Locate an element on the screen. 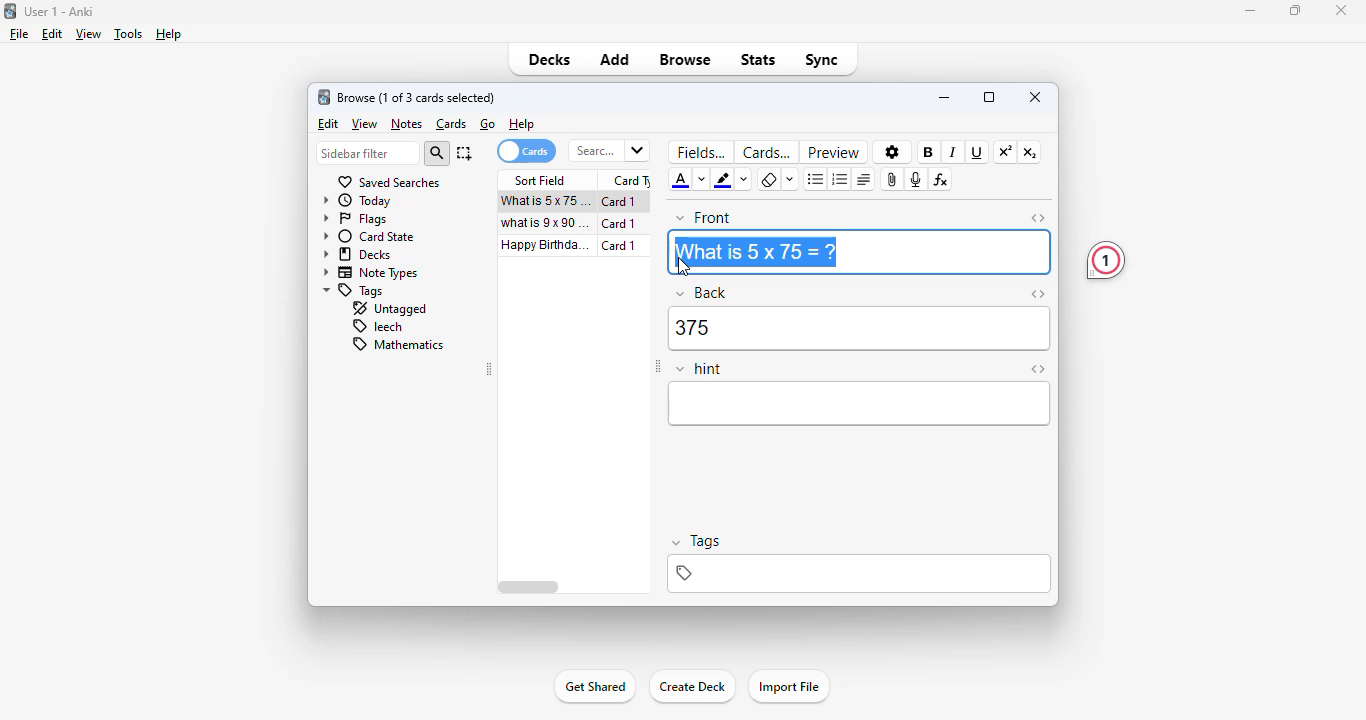  tags is located at coordinates (354, 292).